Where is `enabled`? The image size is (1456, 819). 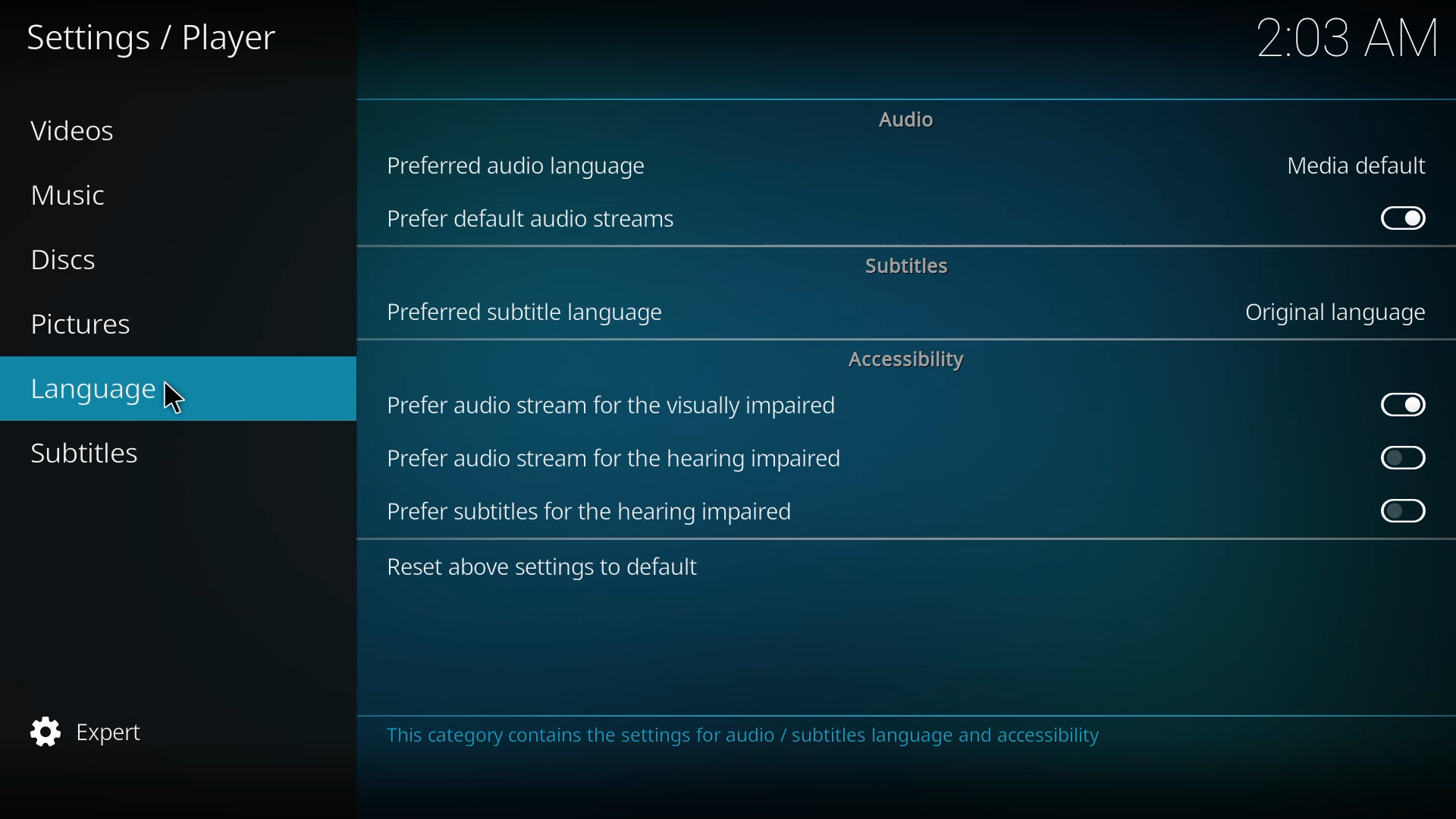 enabled is located at coordinates (1403, 218).